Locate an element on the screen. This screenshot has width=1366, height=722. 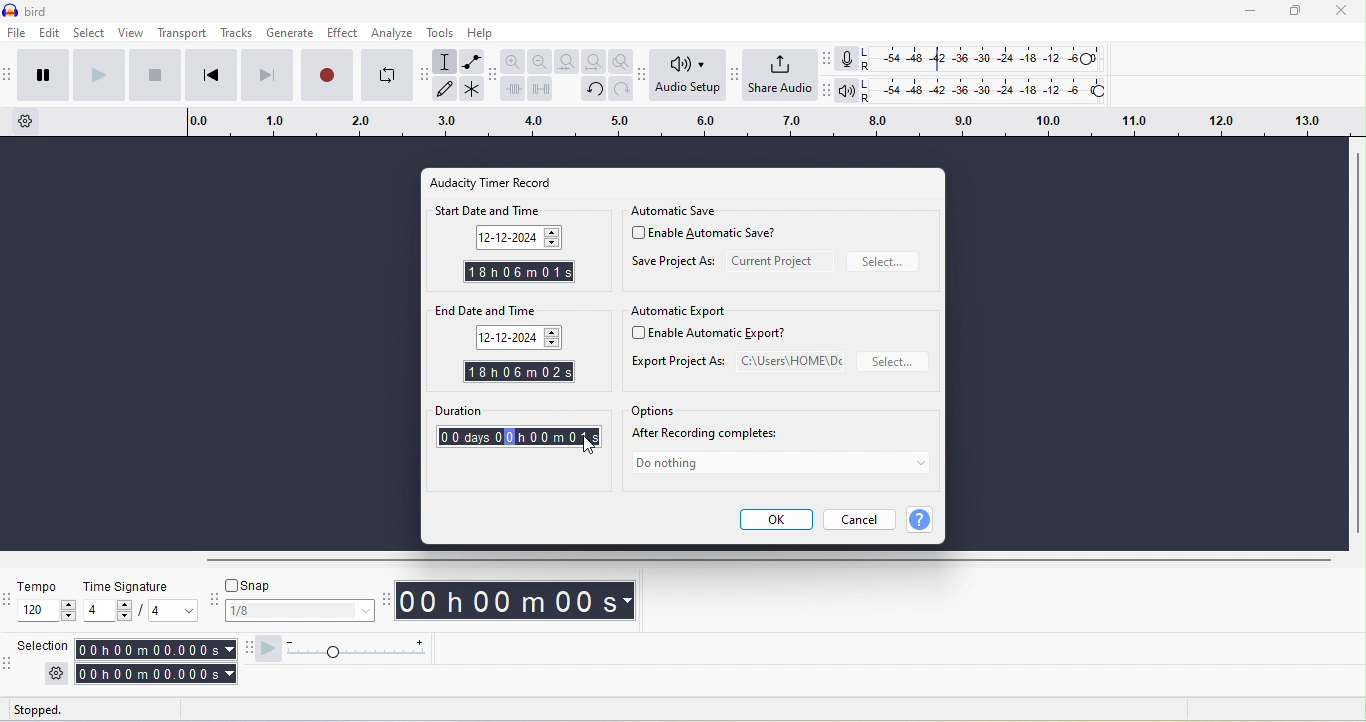
automatic save is located at coordinates (680, 209).